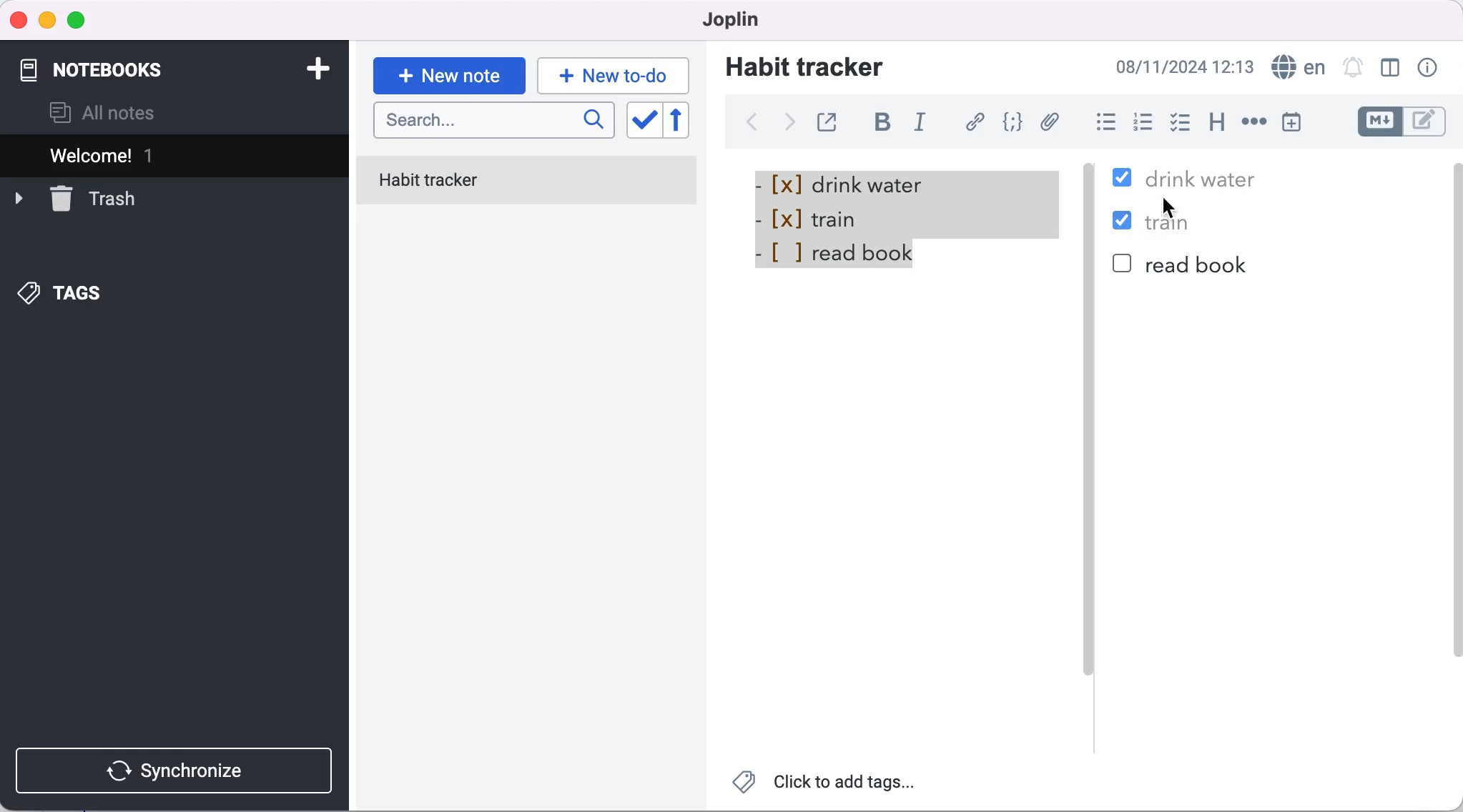  Describe the element at coordinates (902, 221) in the screenshot. I see `- [x] train` at that location.